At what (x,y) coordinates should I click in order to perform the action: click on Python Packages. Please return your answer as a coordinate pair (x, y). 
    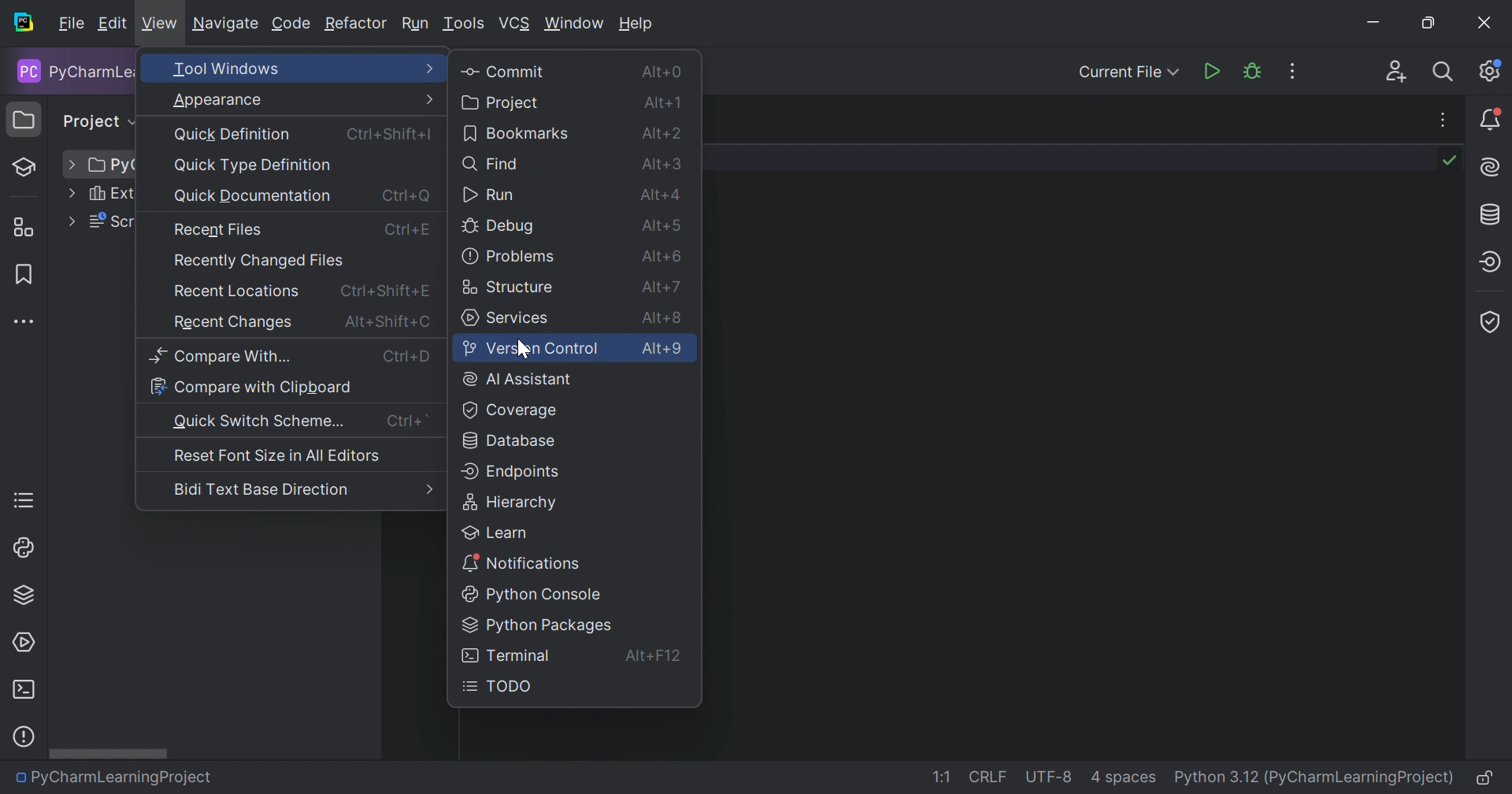
    Looking at the image, I should click on (27, 595).